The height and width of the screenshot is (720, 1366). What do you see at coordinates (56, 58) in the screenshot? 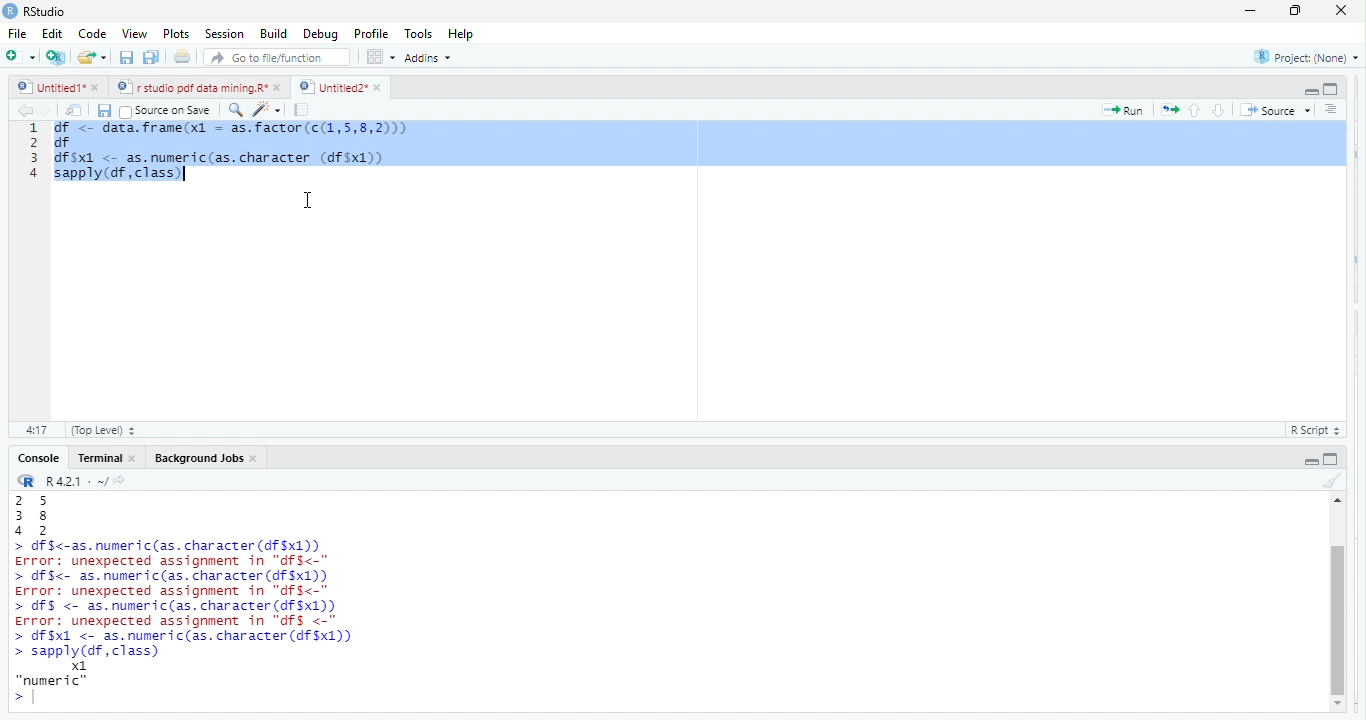
I see `create a project` at bounding box center [56, 58].